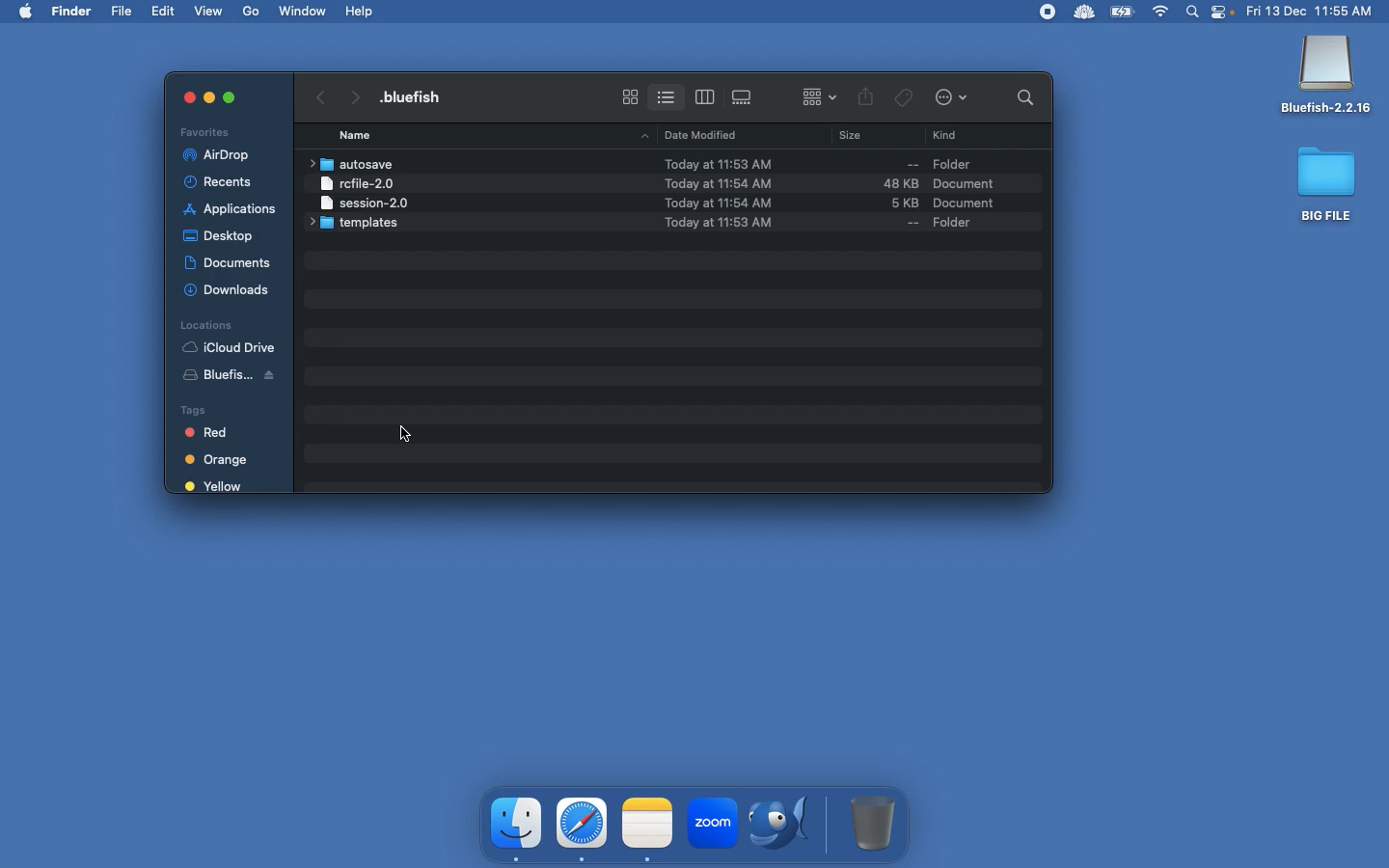 The image size is (1389, 868). Describe the element at coordinates (357, 164) in the screenshot. I see `autosave` at that location.